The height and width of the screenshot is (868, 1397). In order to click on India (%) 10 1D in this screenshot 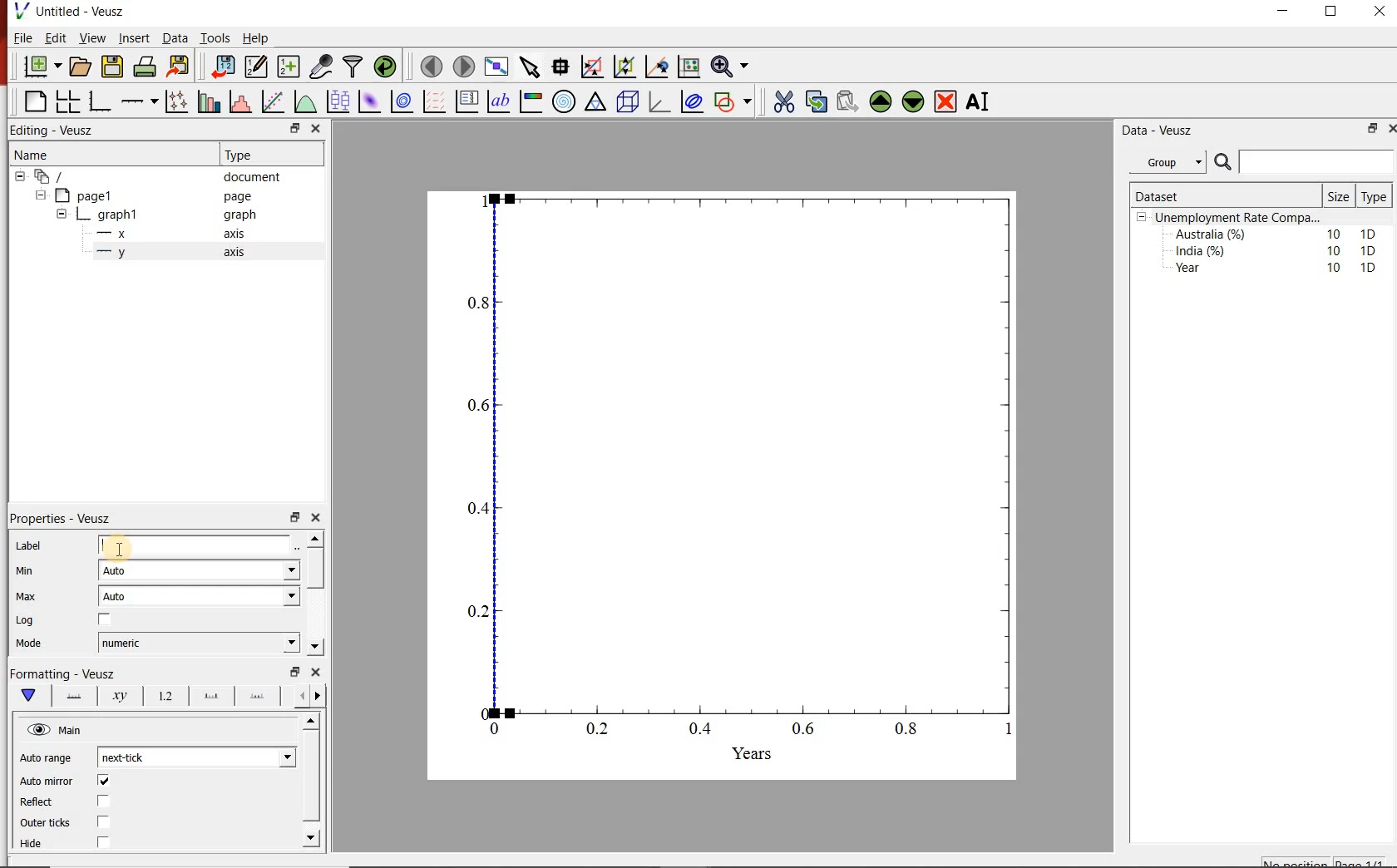, I will do `click(1277, 250)`.